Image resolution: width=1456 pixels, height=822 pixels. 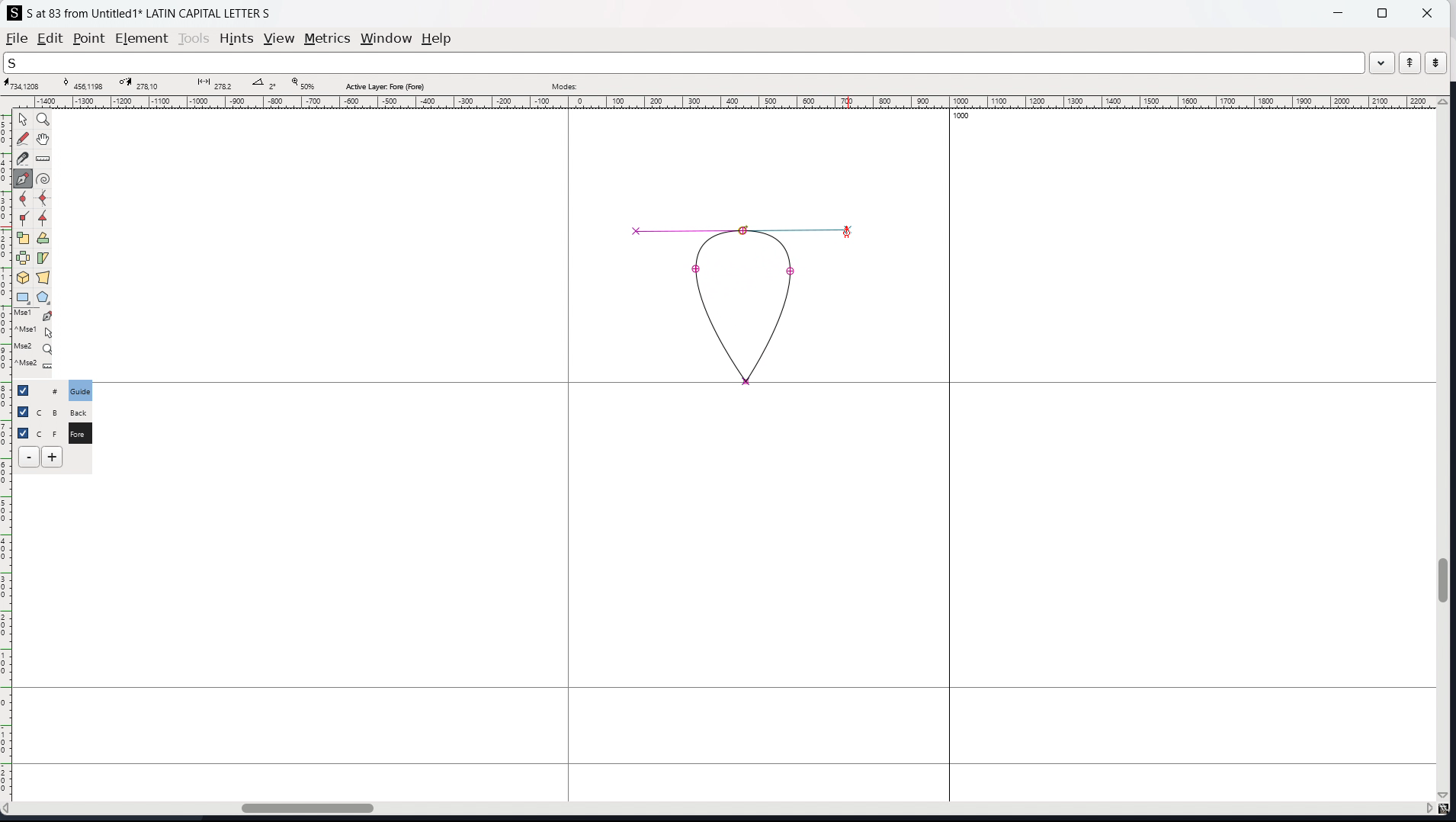 What do you see at coordinates (149, 12) in the screenshot?
I see `S at 83 from Untitled 1 LATIN CAPITAL LETTER S` at bounding box center [149, 12].